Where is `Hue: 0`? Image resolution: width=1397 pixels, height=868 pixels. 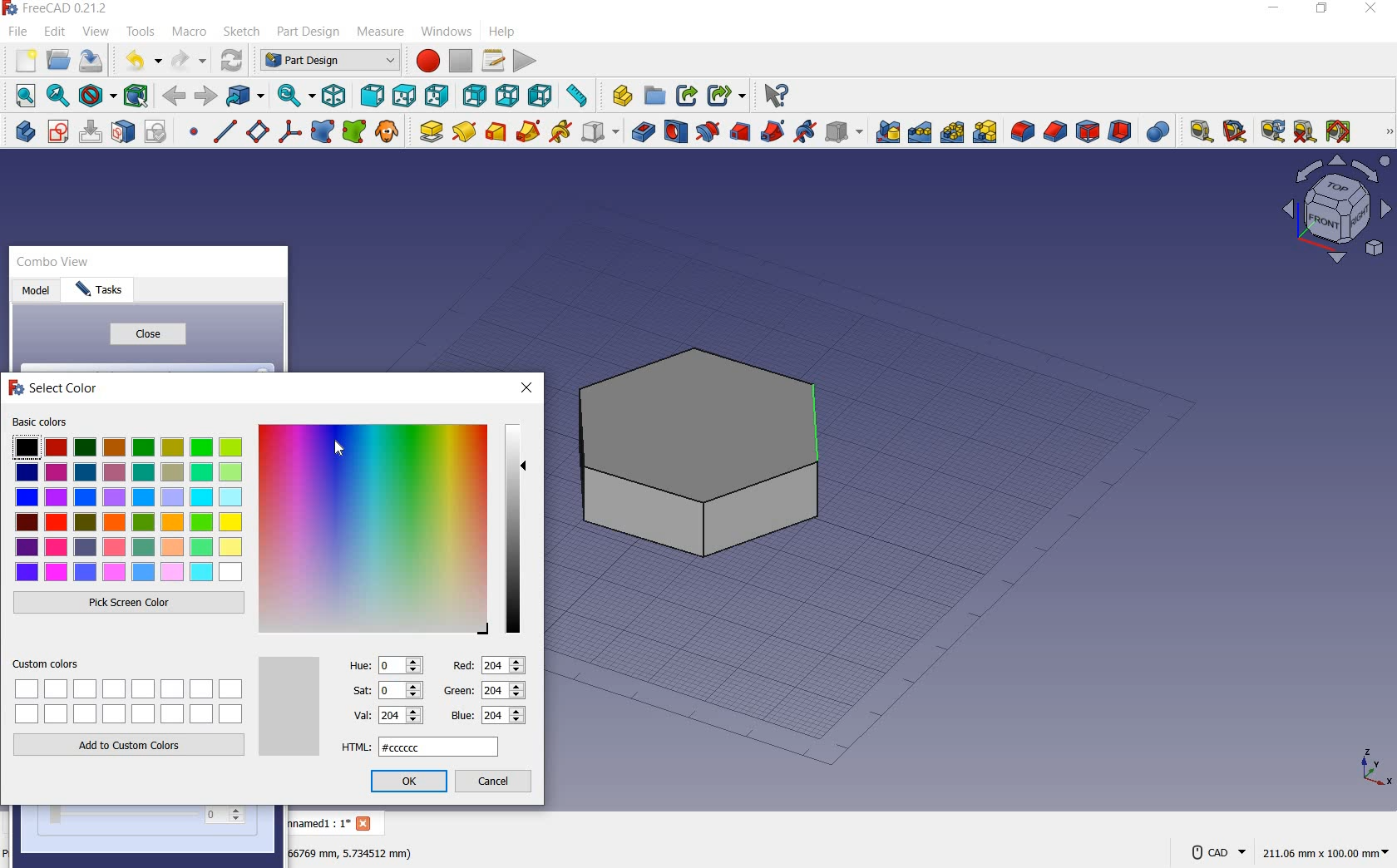 Hue: 0 is located at coordinates (387, 663).